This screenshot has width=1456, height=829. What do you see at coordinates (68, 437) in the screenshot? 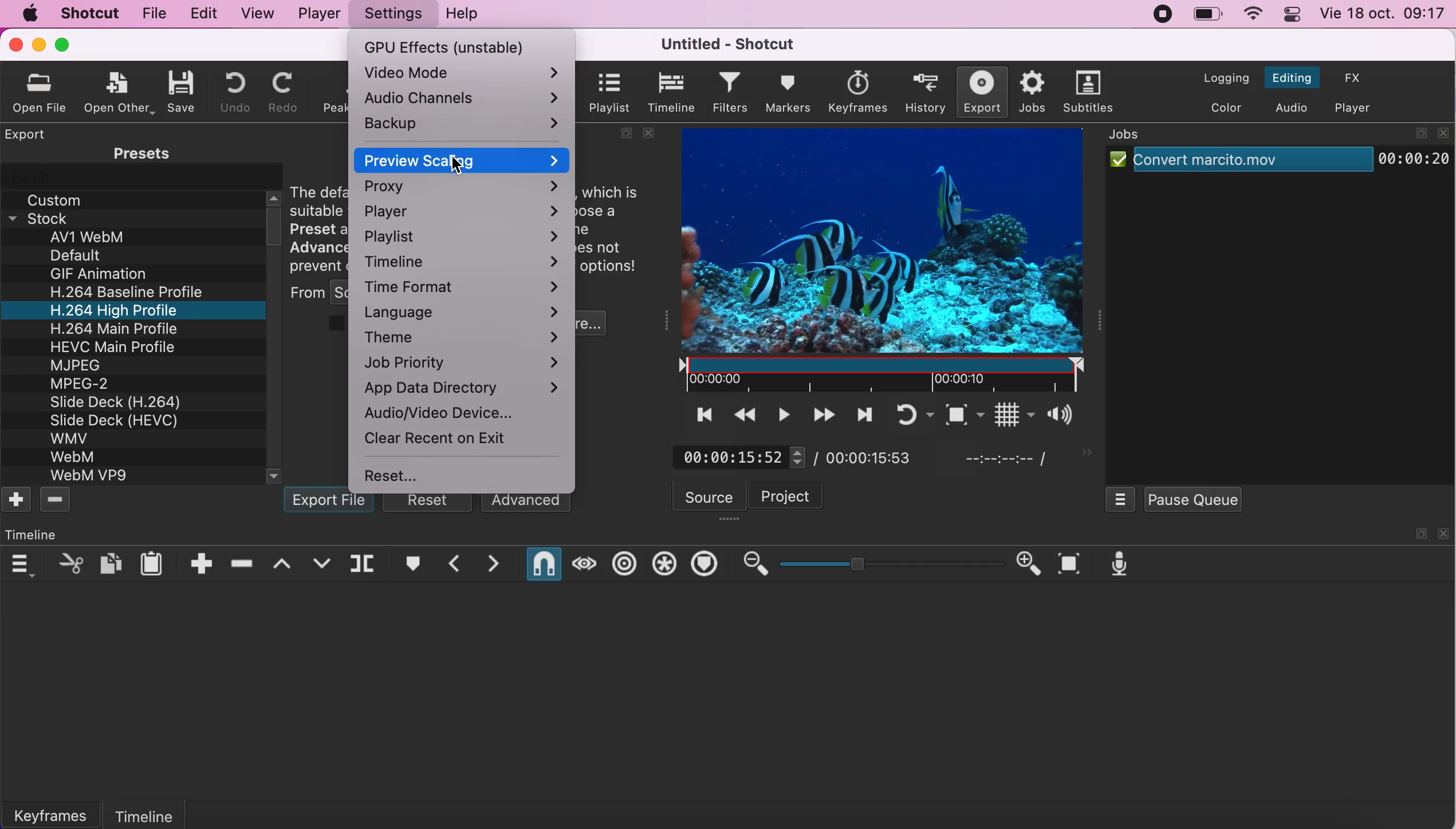
I see `WMV` at bounding box center [68, 437].